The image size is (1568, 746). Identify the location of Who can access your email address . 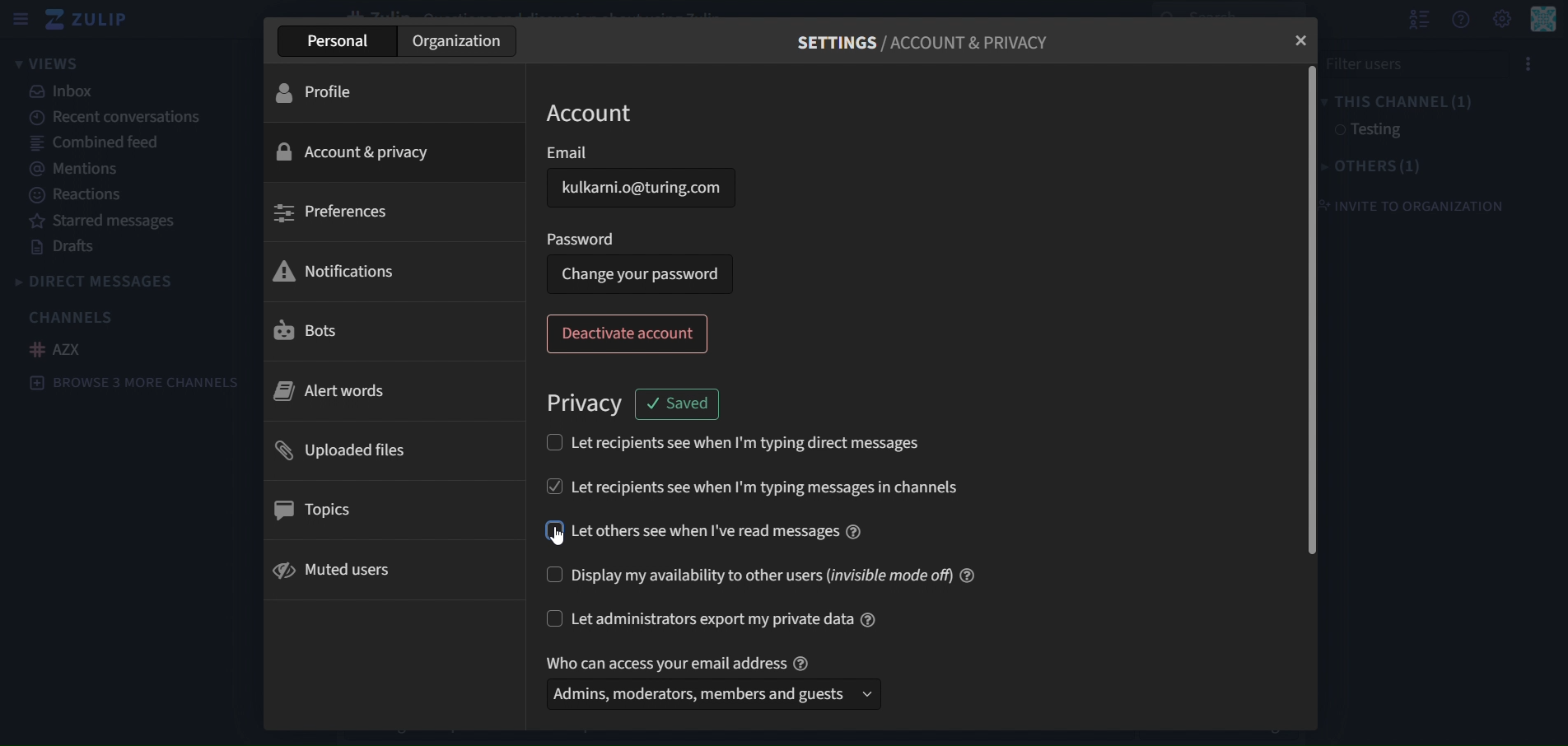
(681, 660).